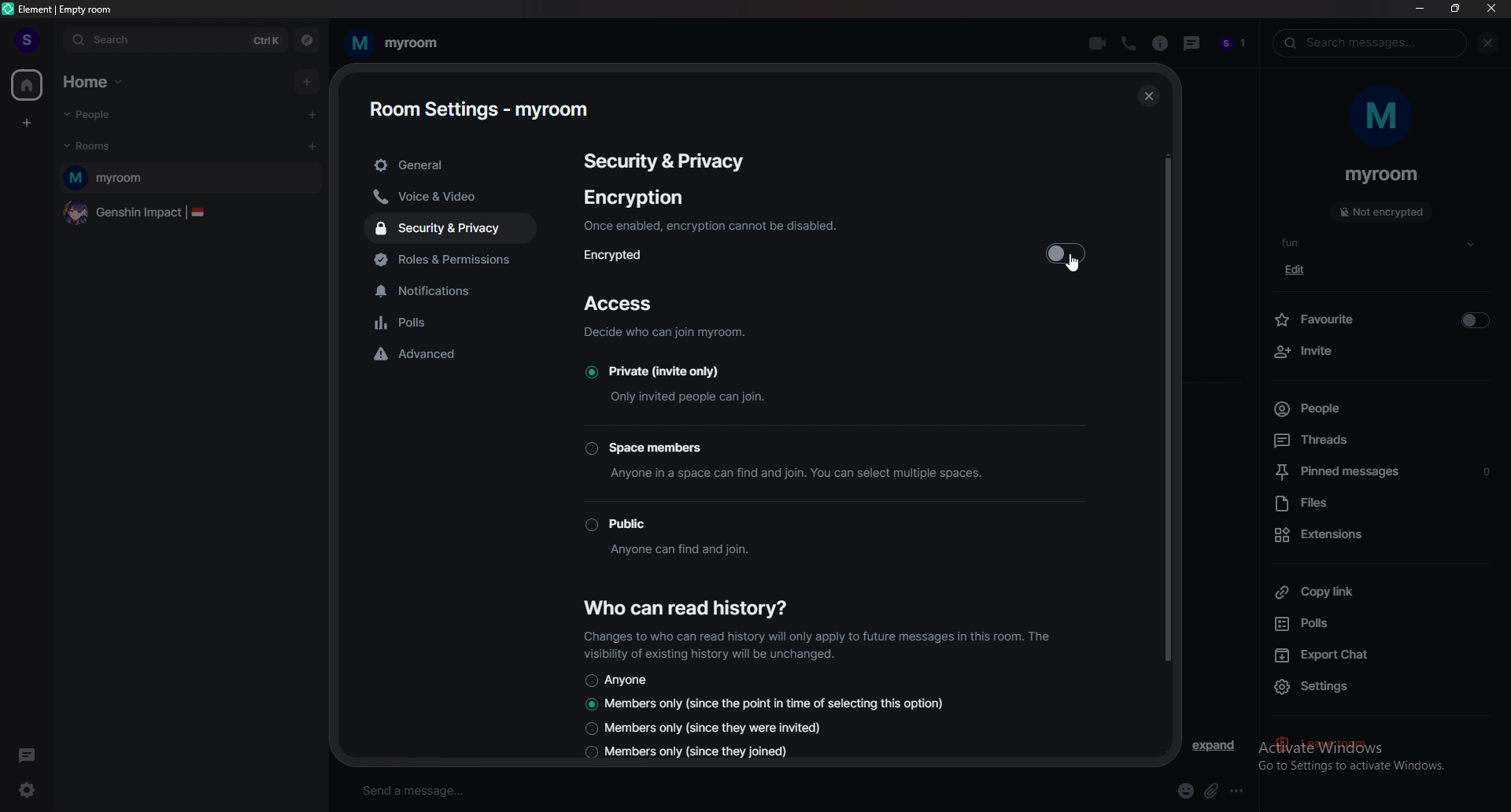  I want to click on general, so click(451, 166).